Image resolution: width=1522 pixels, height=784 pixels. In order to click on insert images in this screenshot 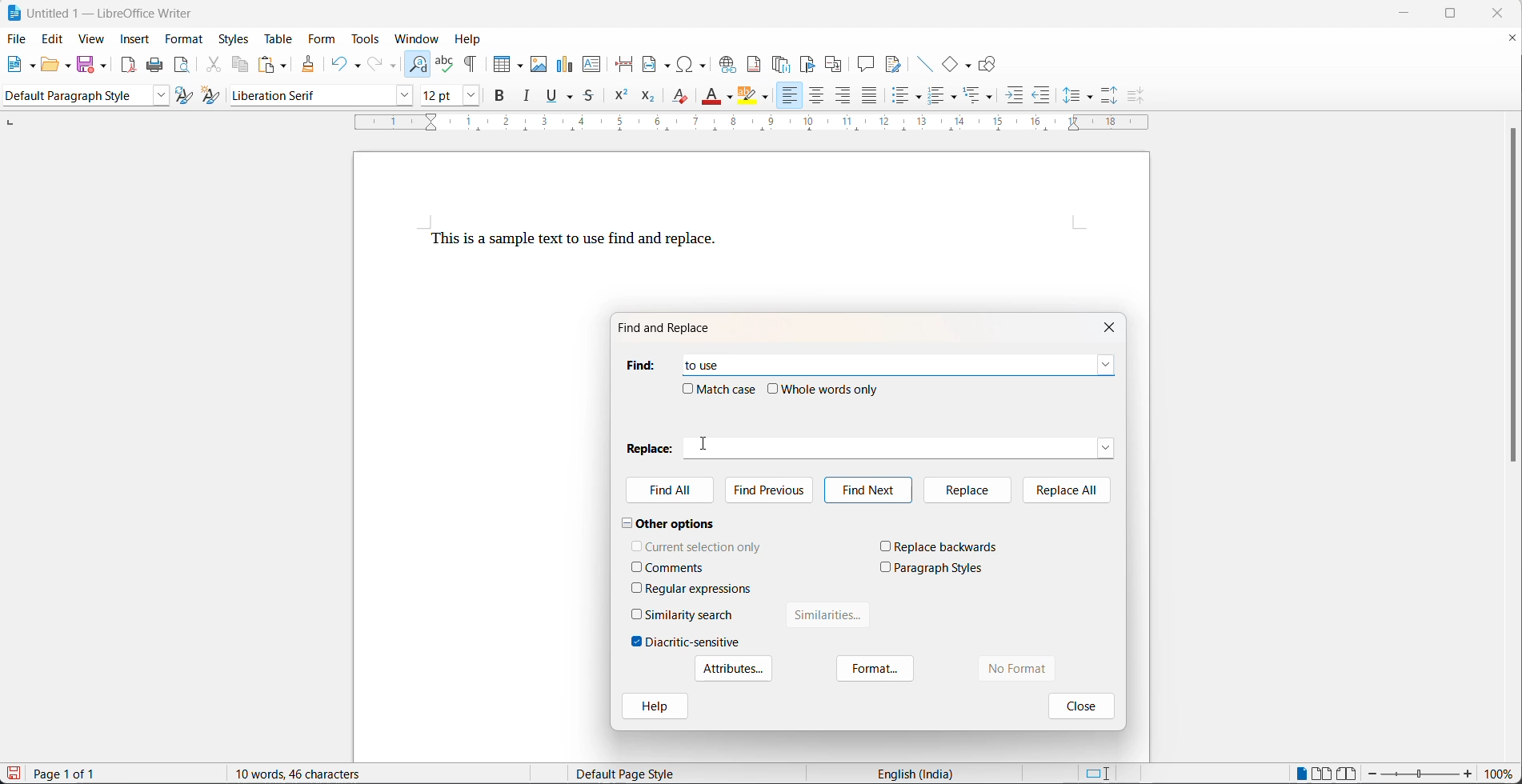, I will do `click(540, 58)`.